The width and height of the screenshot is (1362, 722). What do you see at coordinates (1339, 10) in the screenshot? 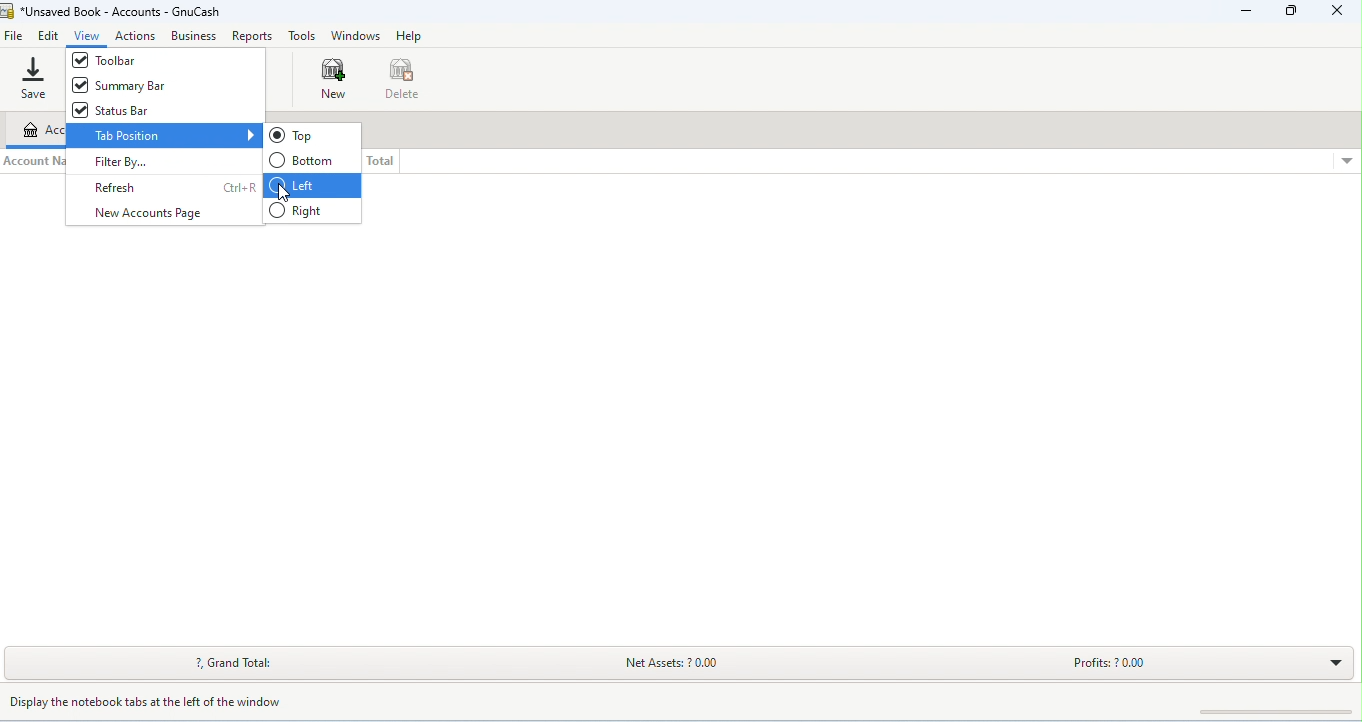
I see `close` at bounding box center [1339, 10].